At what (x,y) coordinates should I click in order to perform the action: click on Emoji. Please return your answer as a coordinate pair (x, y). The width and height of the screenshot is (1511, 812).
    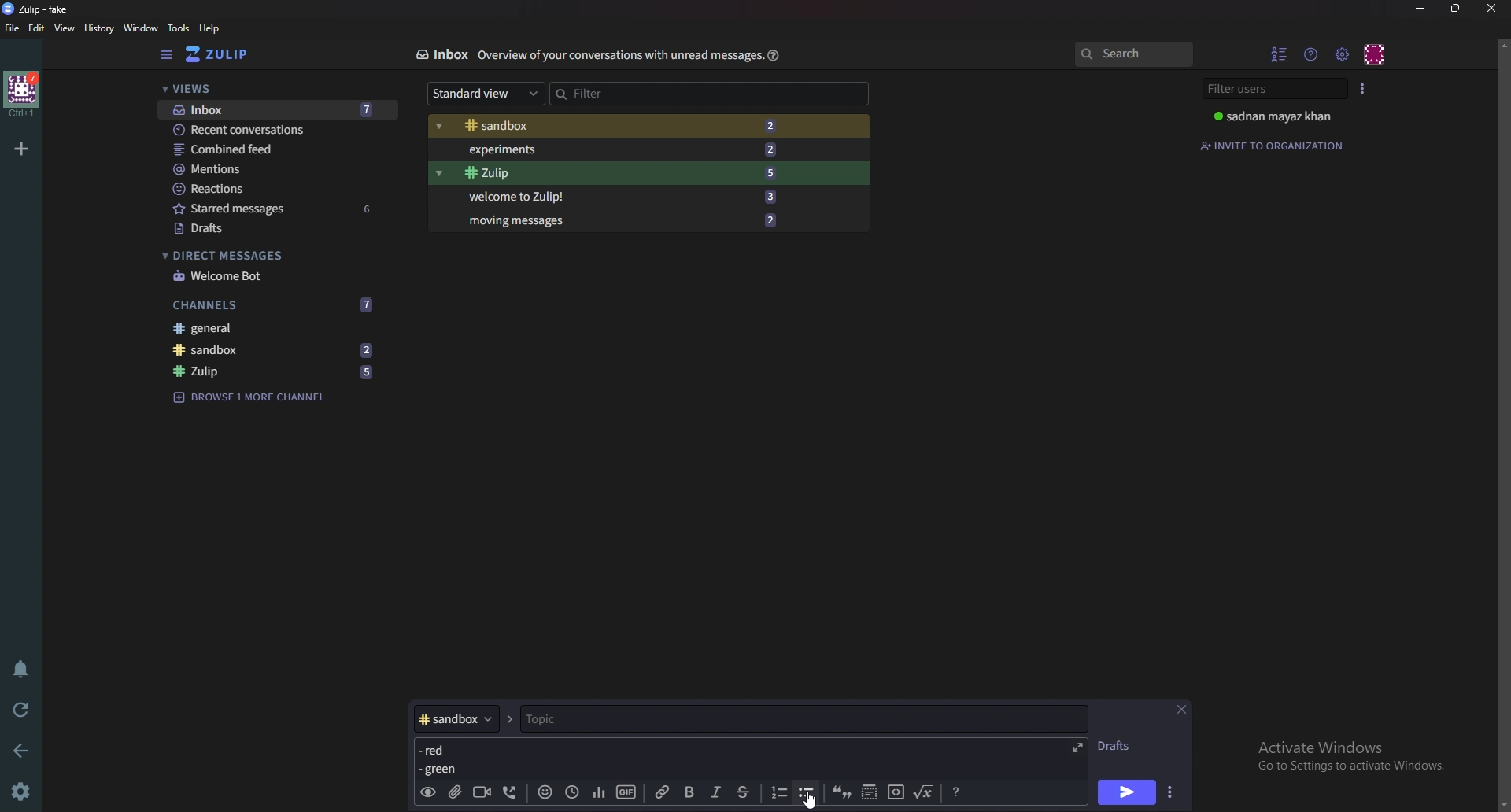
    Looking at the image, I should click on (545, 791).